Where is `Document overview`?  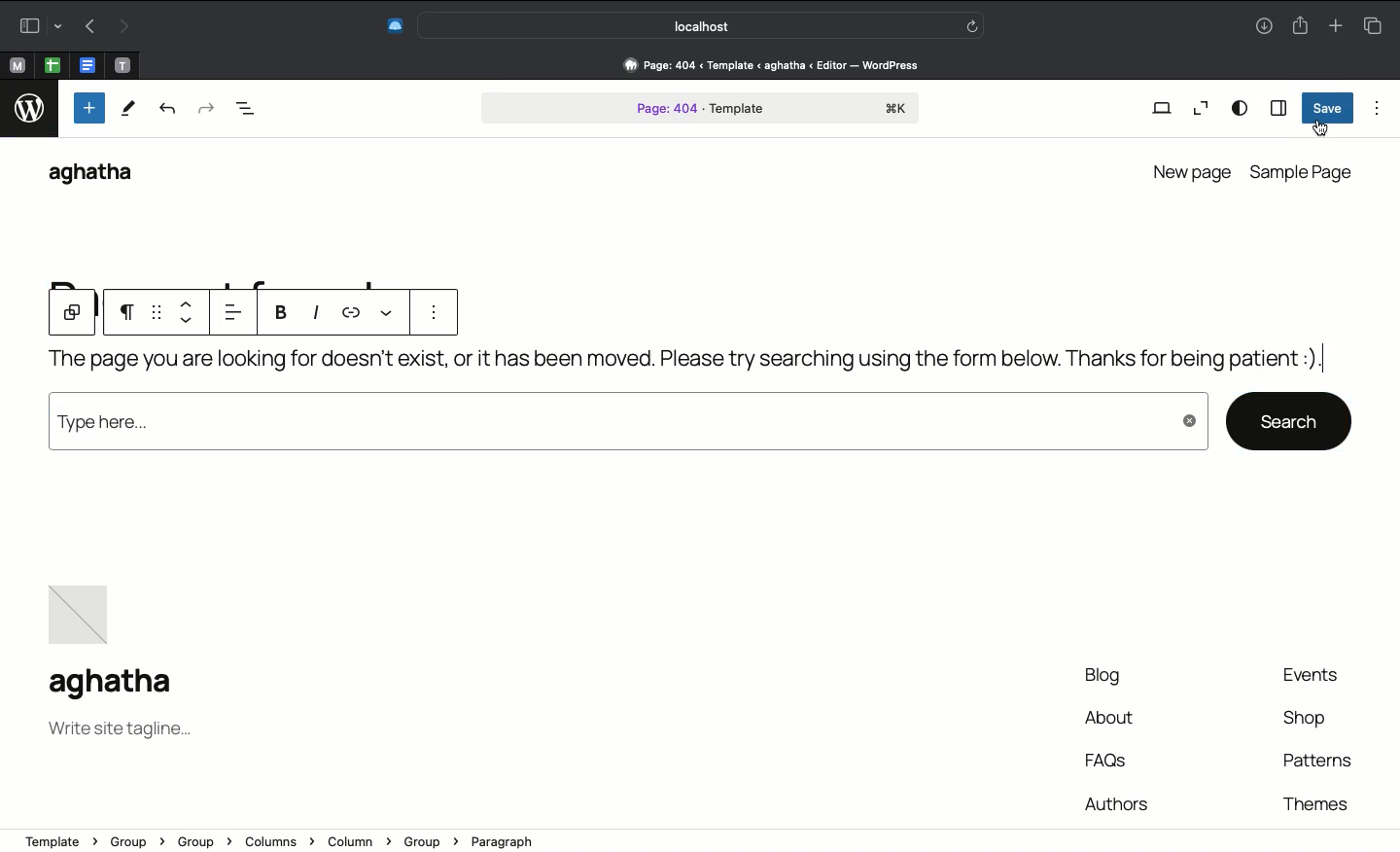
Document overview is located at coordinates (246, 111).